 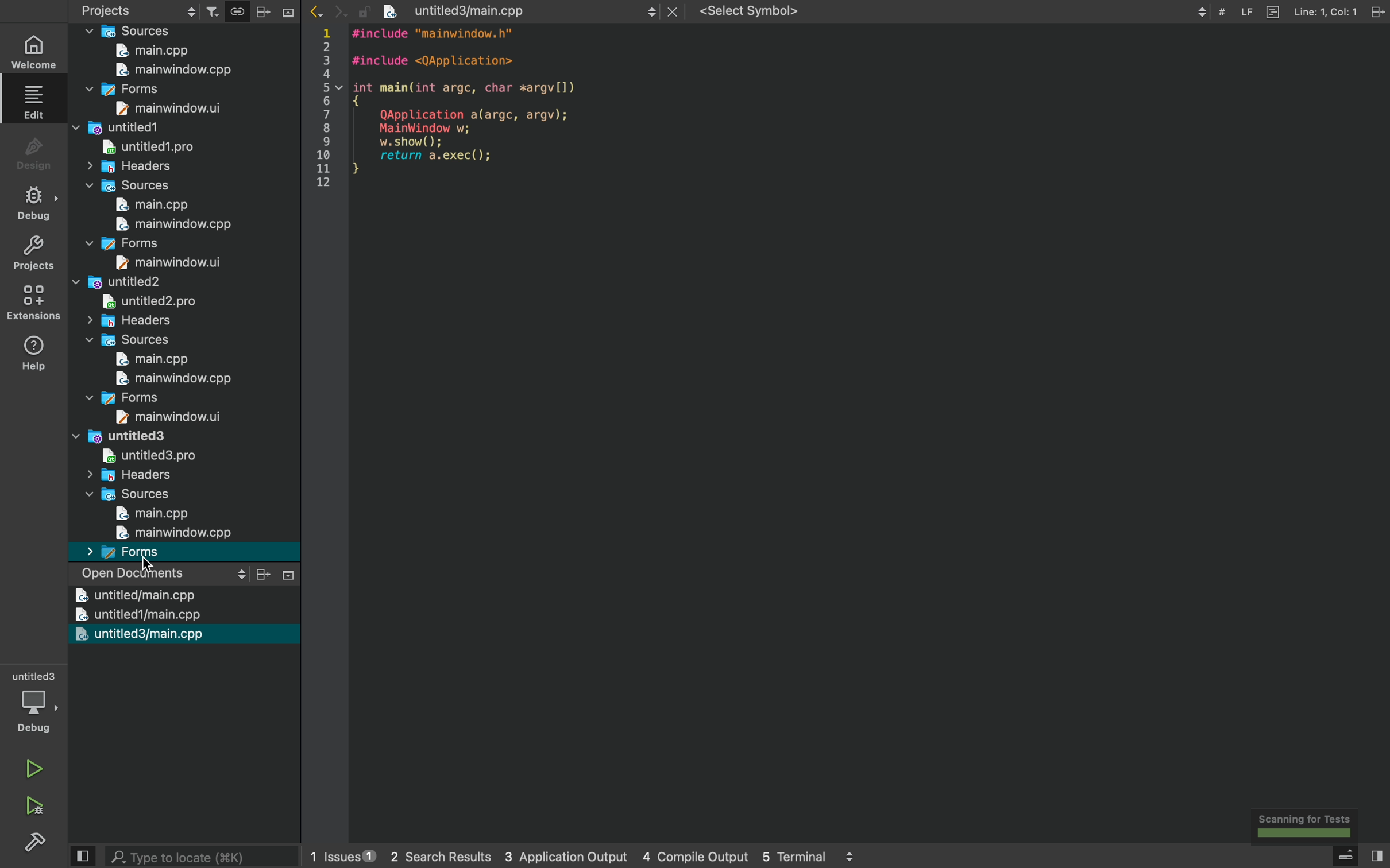 I want to click on projects, so click(x=140, y=9).